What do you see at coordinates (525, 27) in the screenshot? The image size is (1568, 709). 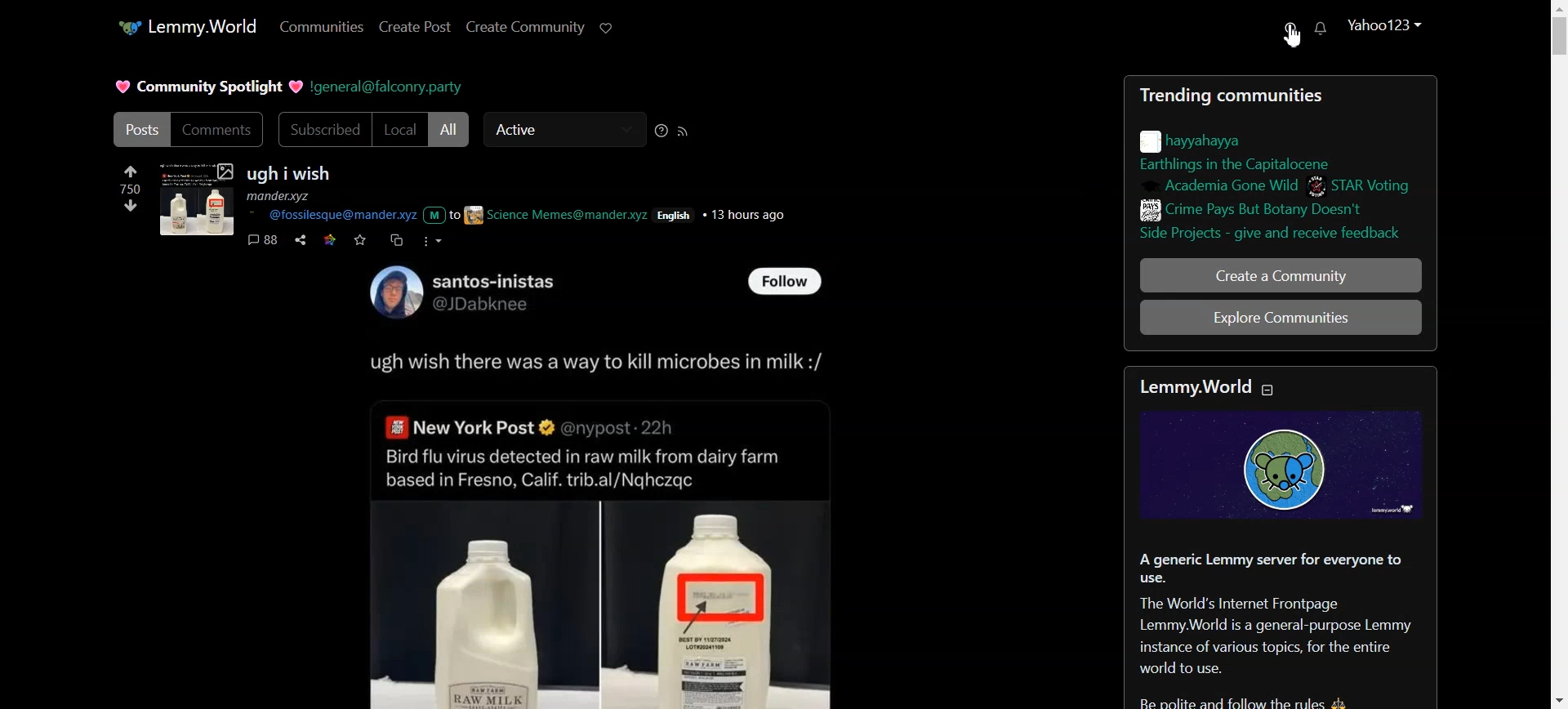 I see `Create Community` at bounding box center [525, 27].